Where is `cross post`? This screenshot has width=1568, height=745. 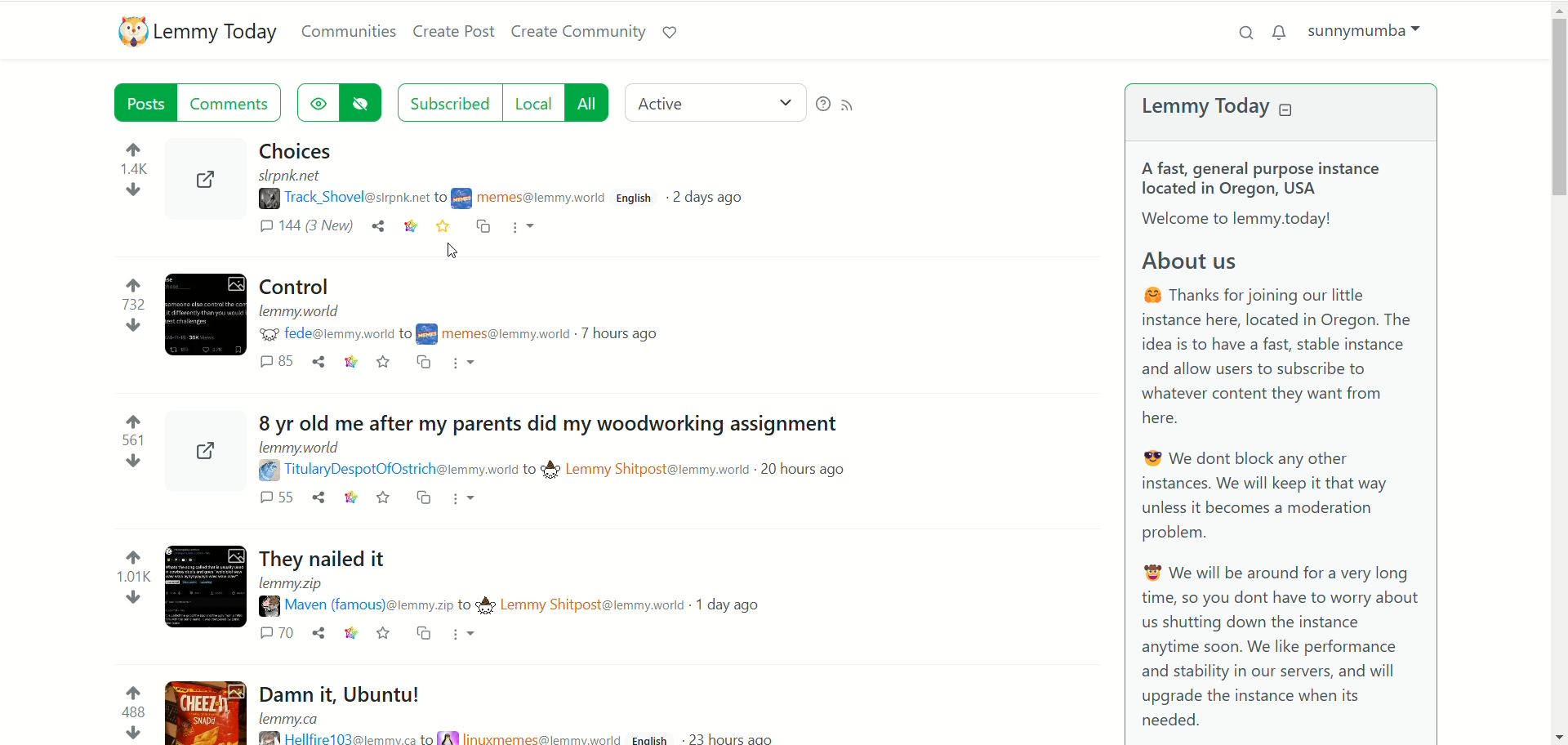
cross post is located at coordinates (418, 498).